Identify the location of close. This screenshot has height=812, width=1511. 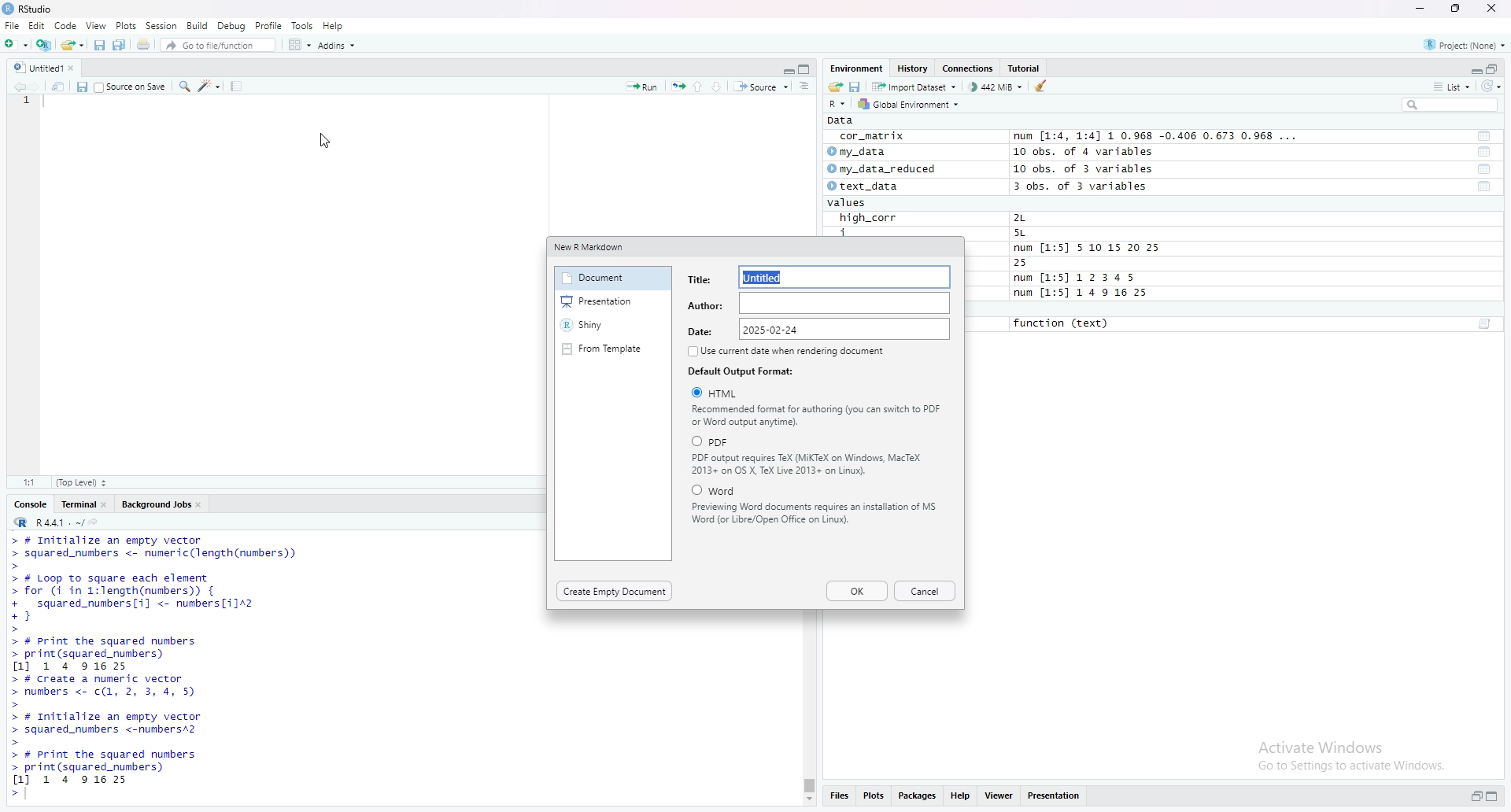
(107, 506).